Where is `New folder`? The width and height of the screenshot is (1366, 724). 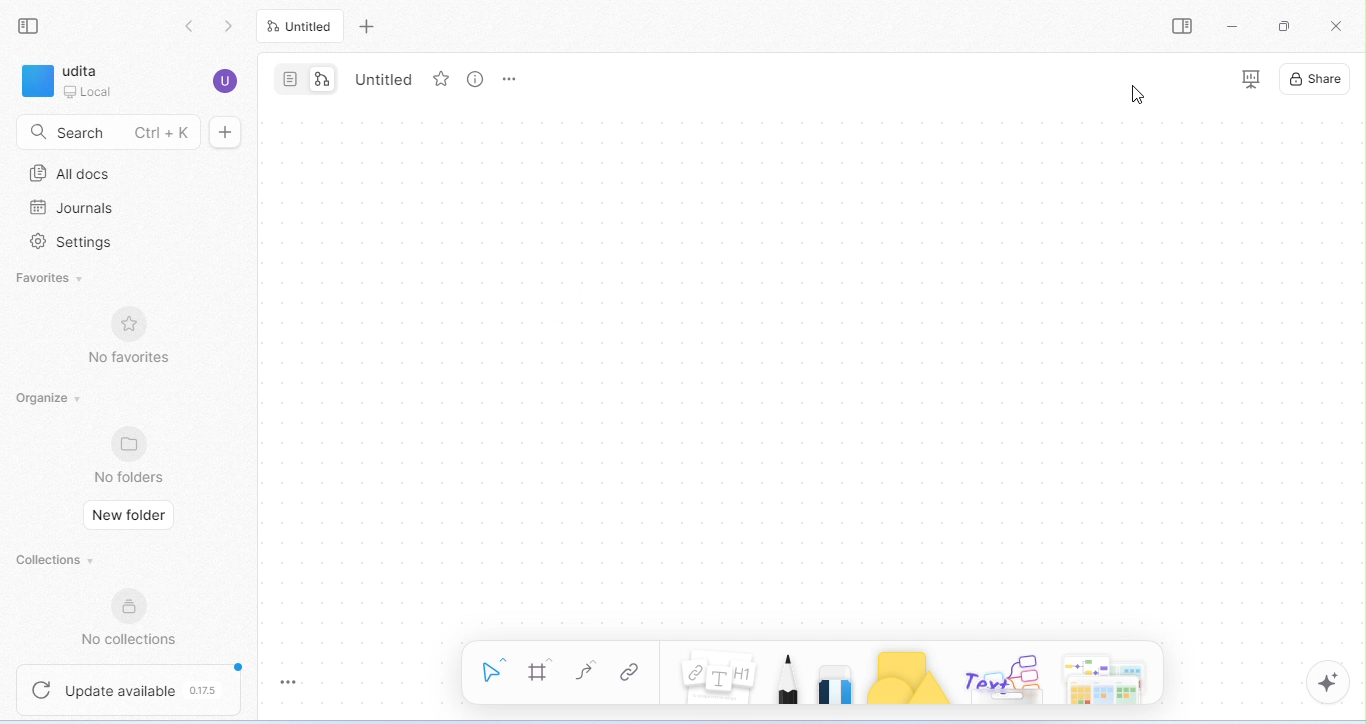
New folder is located at coordinates (127, 515).